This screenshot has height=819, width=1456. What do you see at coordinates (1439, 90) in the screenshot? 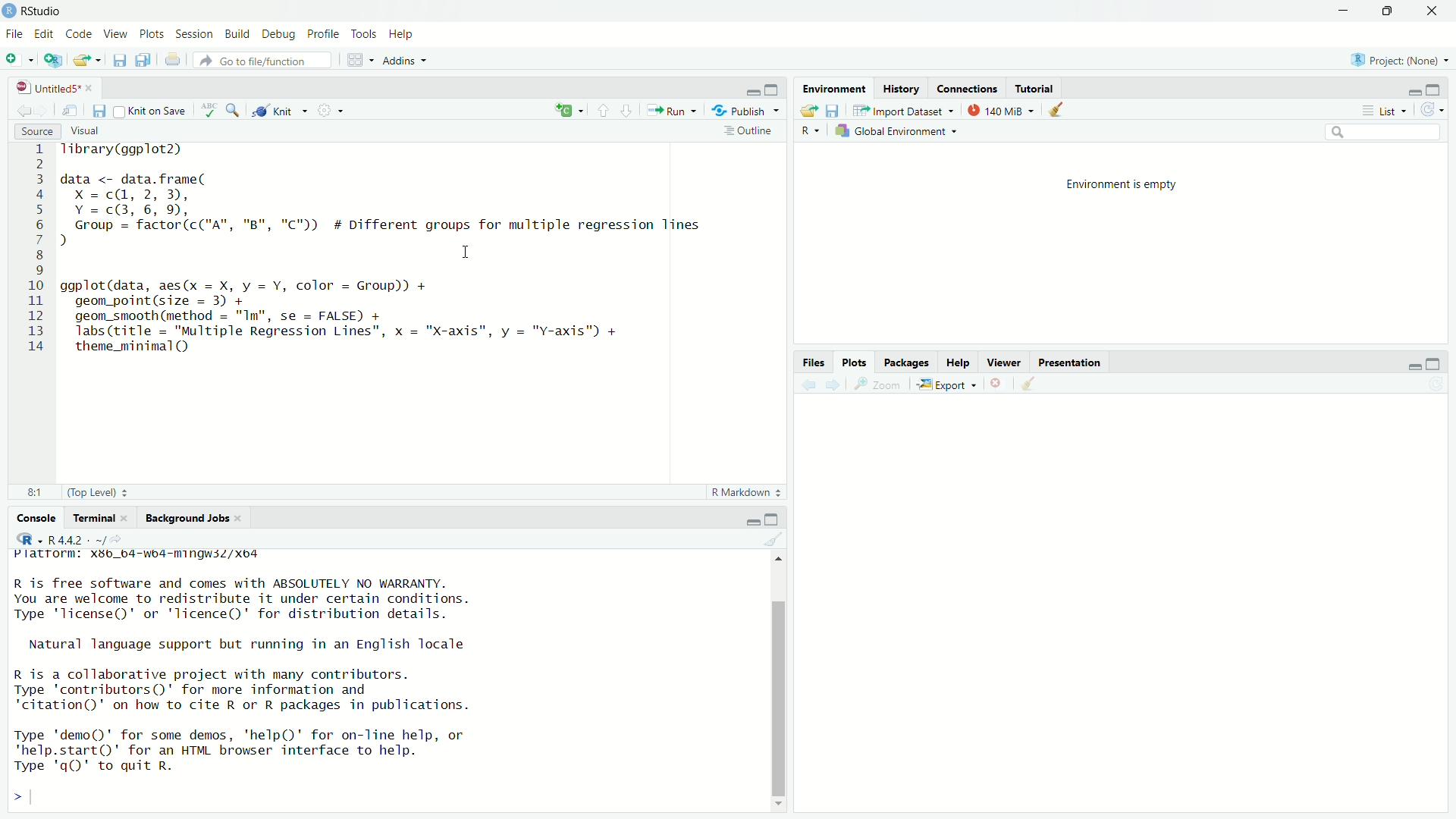
I see `maximise` at bounding box center [1439, 90].